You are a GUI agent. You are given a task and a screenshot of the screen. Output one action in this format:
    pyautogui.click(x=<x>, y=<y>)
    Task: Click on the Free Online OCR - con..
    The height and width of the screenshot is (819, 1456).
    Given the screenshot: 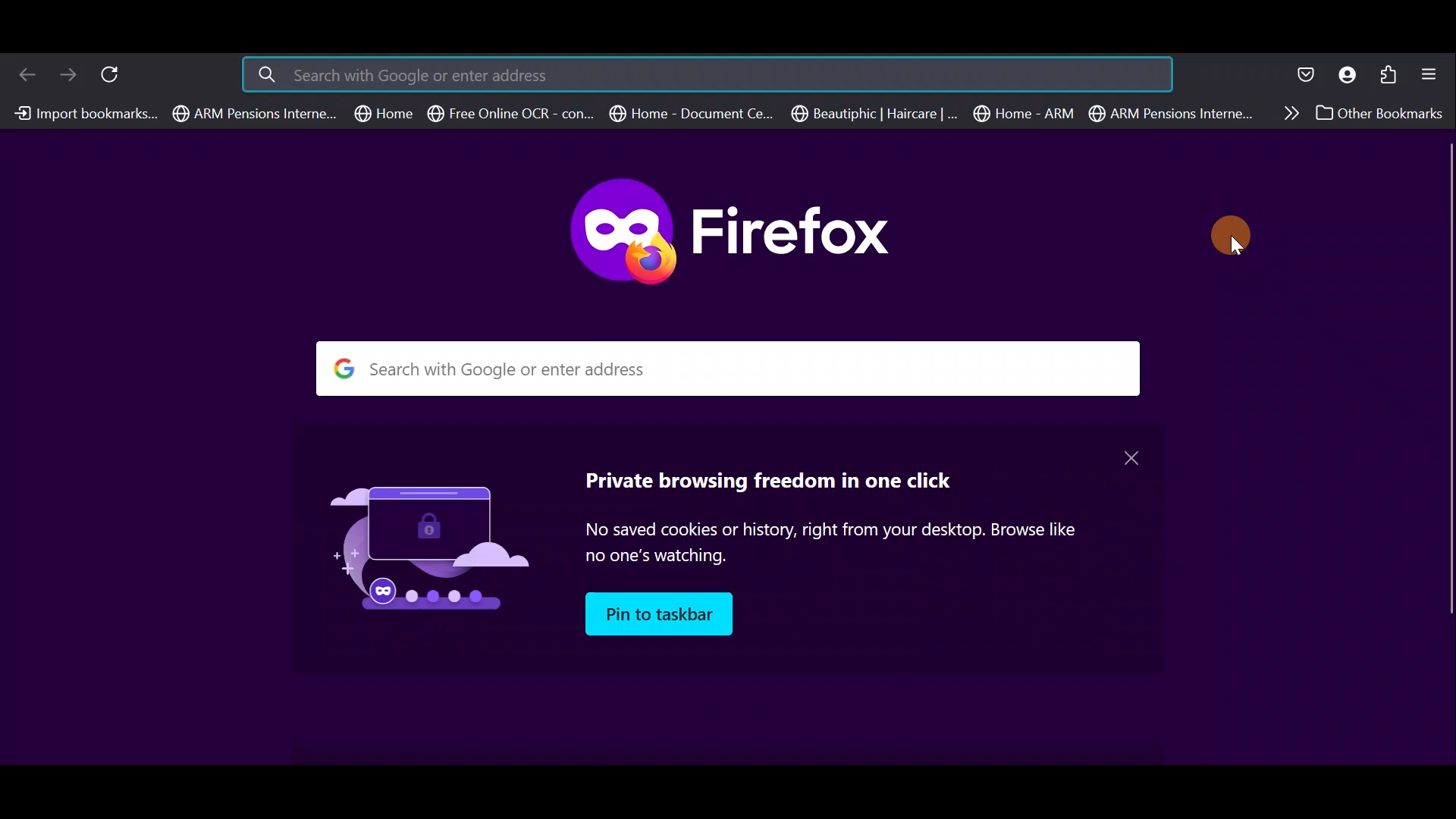 What is the action you would take?
    pyautogui.click(x=509, y=114)
    